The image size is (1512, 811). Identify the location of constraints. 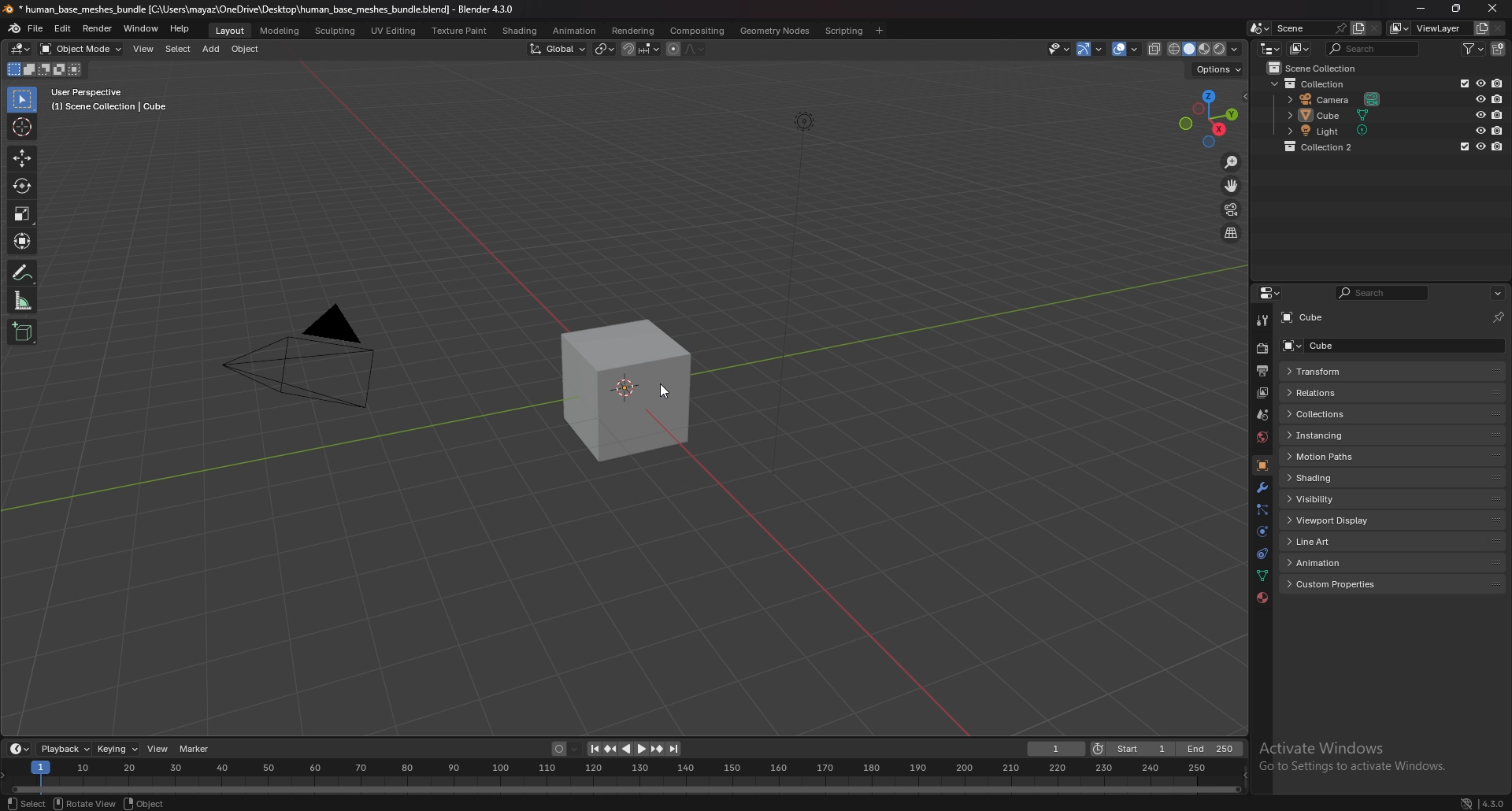
(1261, 554).